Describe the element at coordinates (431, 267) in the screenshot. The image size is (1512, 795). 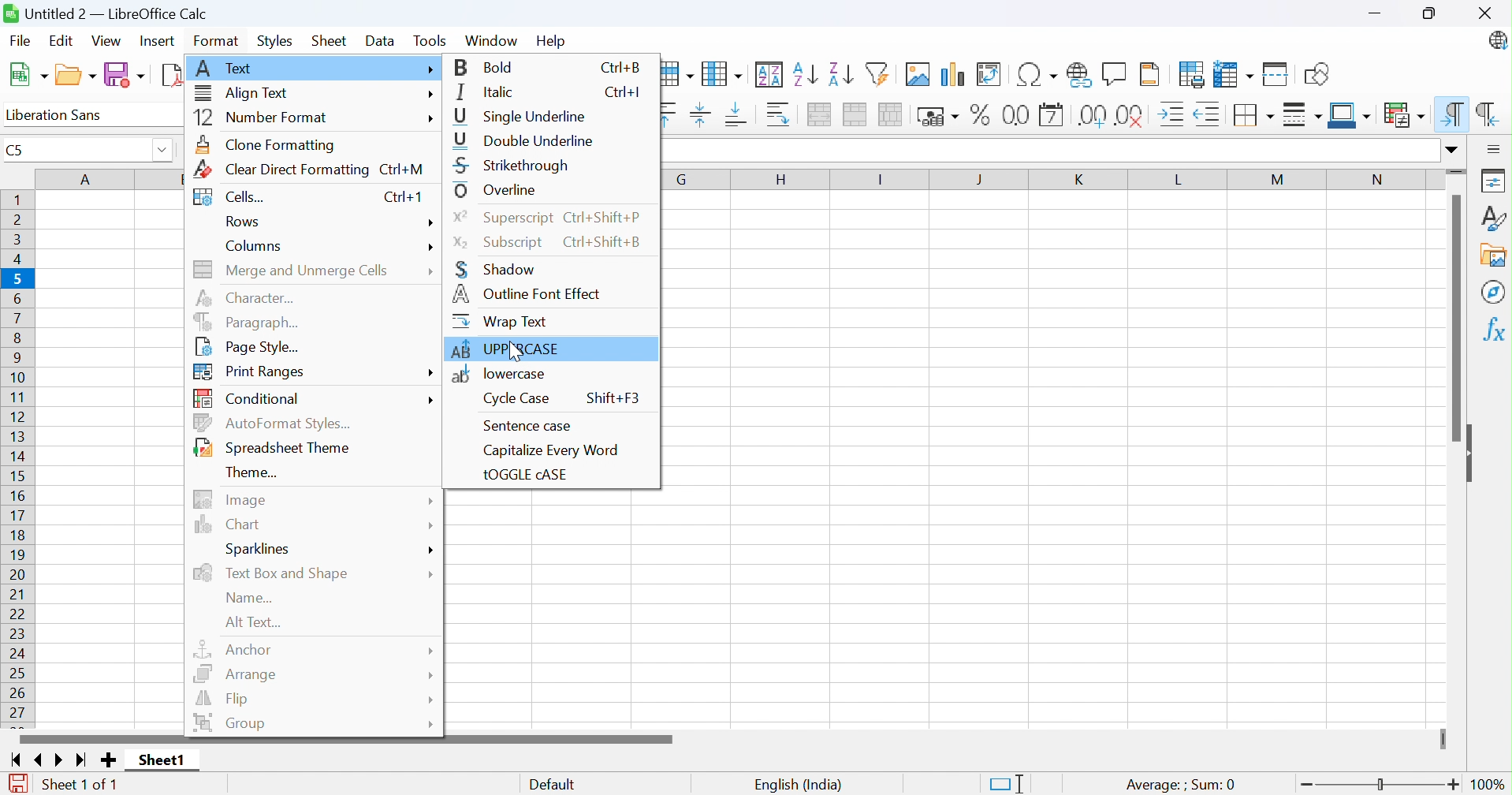
I see `More` at that location.